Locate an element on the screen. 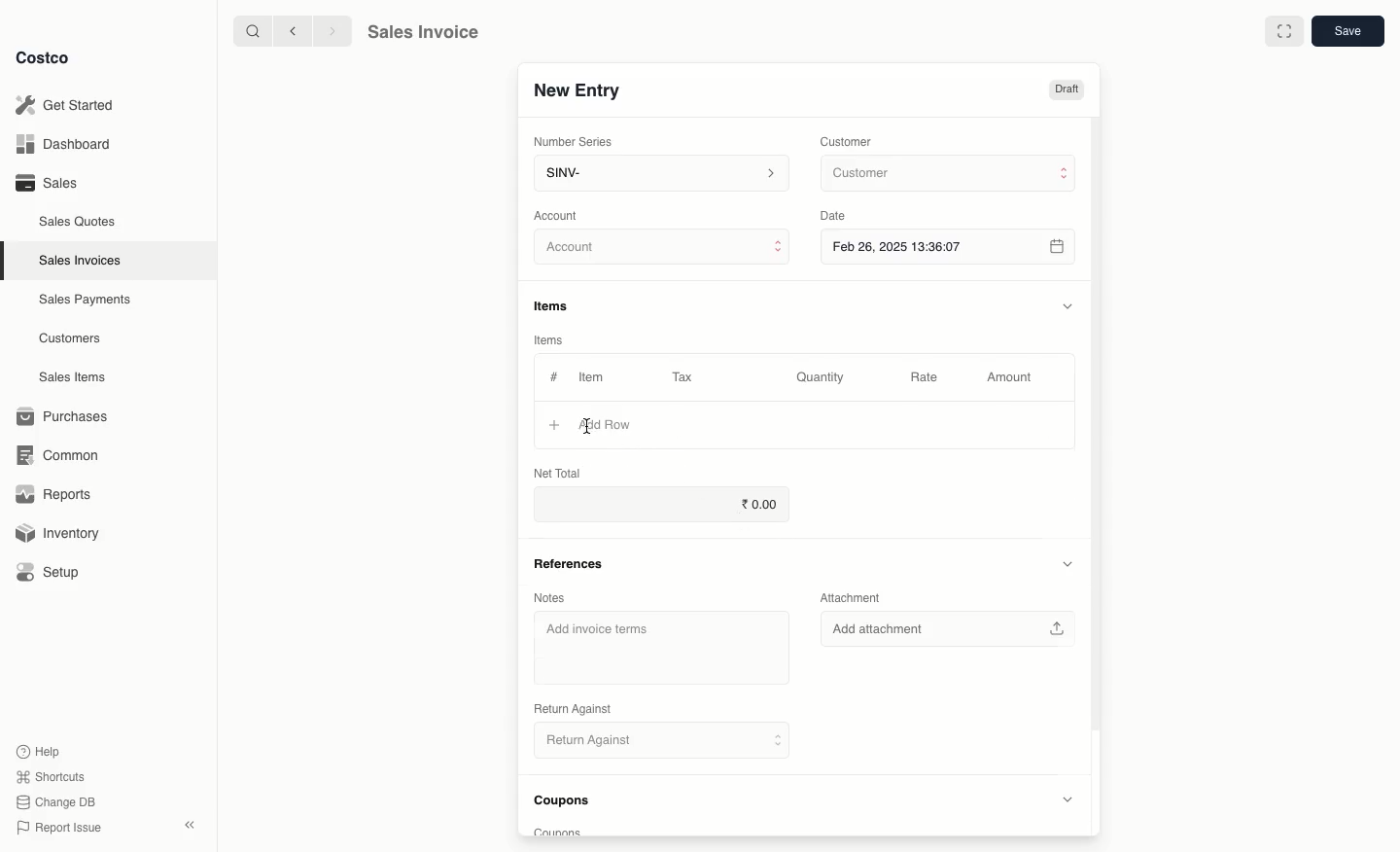 The width and height of the screenshot is (1400, 852). References is located at coordinates (570, 564).